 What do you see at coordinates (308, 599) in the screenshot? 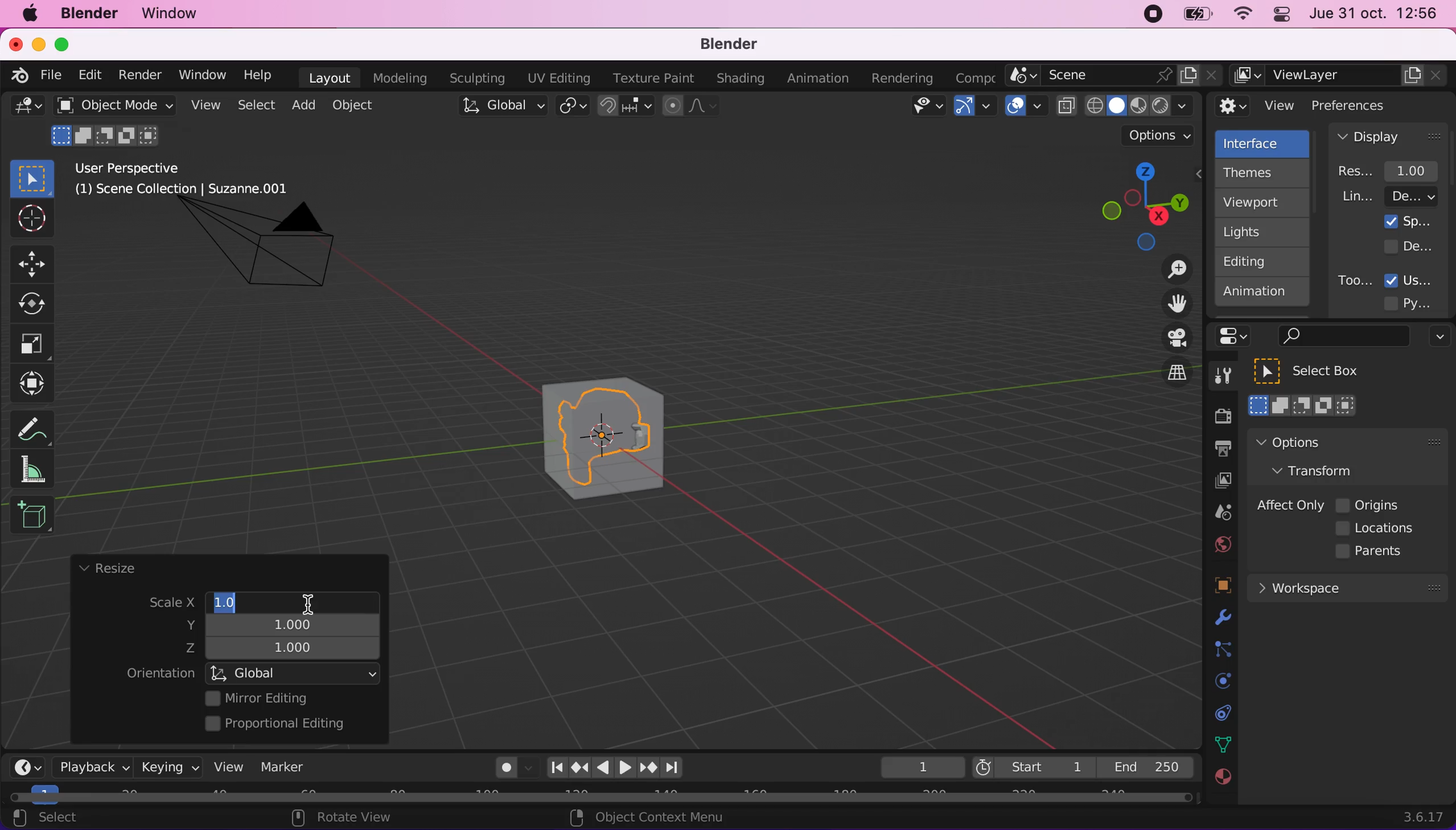
I see `cursor` at bounding box center [308, 599].